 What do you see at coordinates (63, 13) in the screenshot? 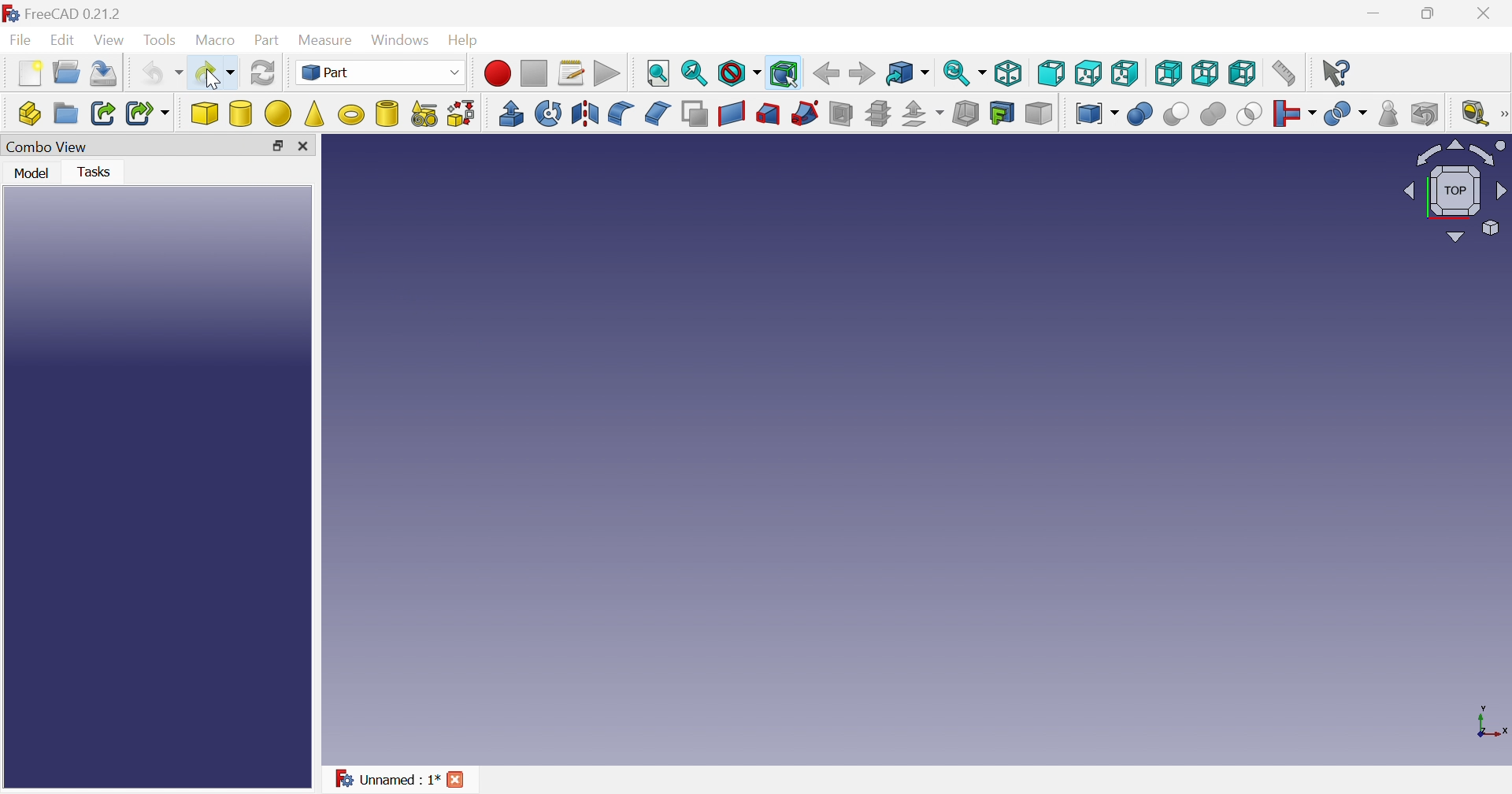
I see `FreeCAD 0.21.2` at bounding box center [63, 13].